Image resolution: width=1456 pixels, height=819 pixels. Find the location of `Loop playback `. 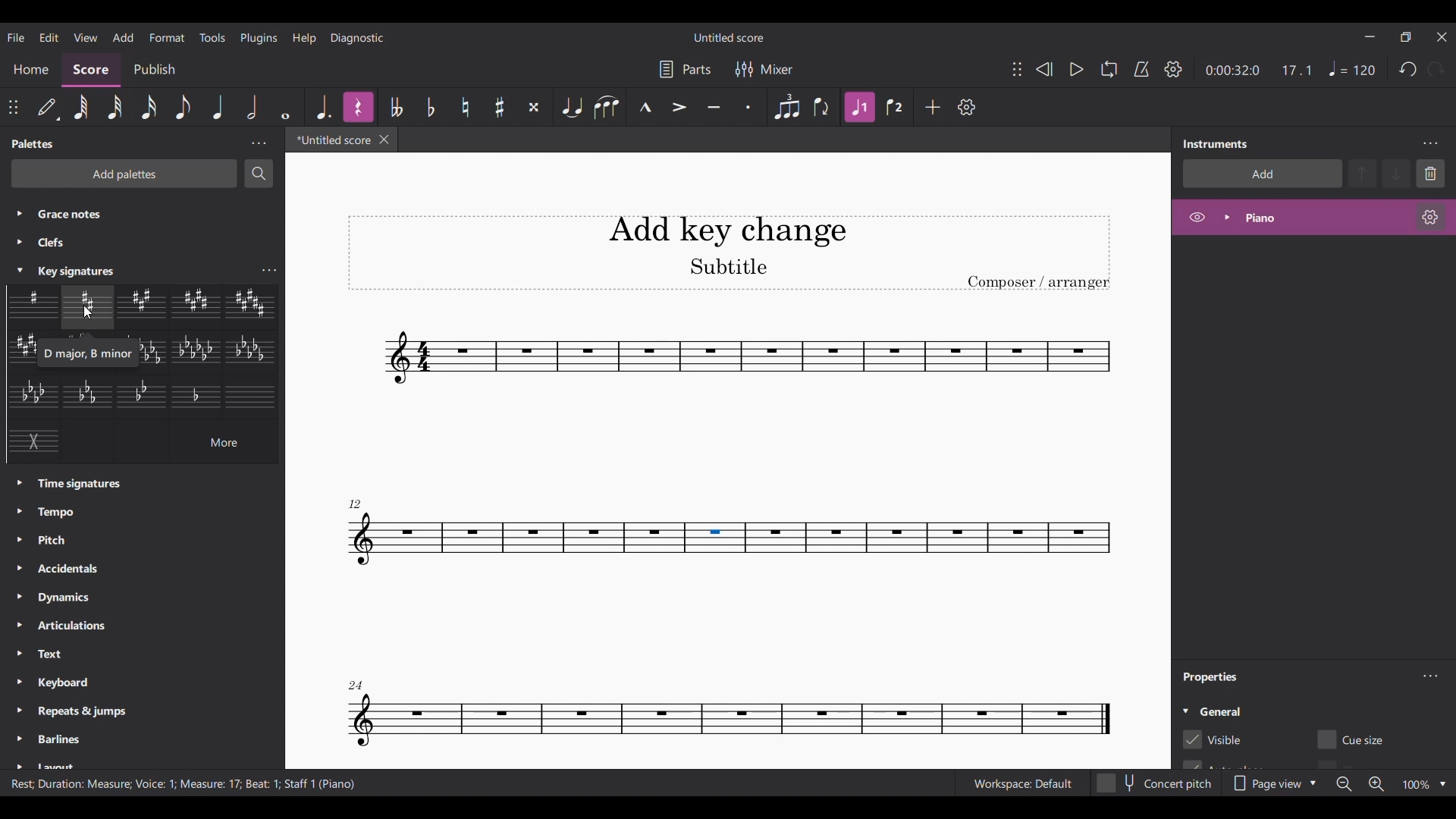

Loop playback  is located at coordinates (1109, 68).